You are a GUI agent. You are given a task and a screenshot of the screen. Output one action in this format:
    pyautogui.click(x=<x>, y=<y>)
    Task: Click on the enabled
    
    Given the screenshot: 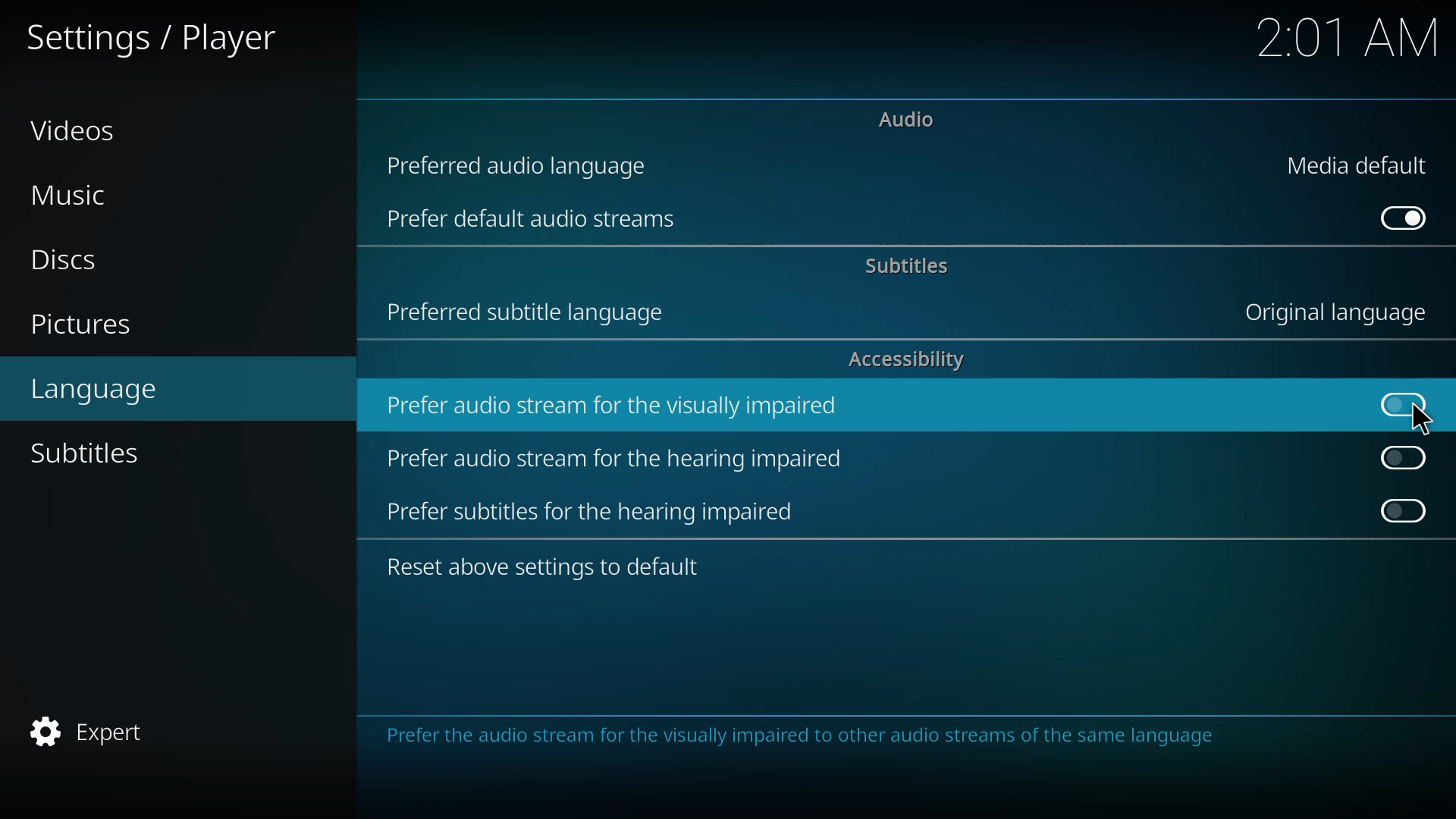 What is the action you would take?
    pyautogui.click(x=1403, y=218)
    